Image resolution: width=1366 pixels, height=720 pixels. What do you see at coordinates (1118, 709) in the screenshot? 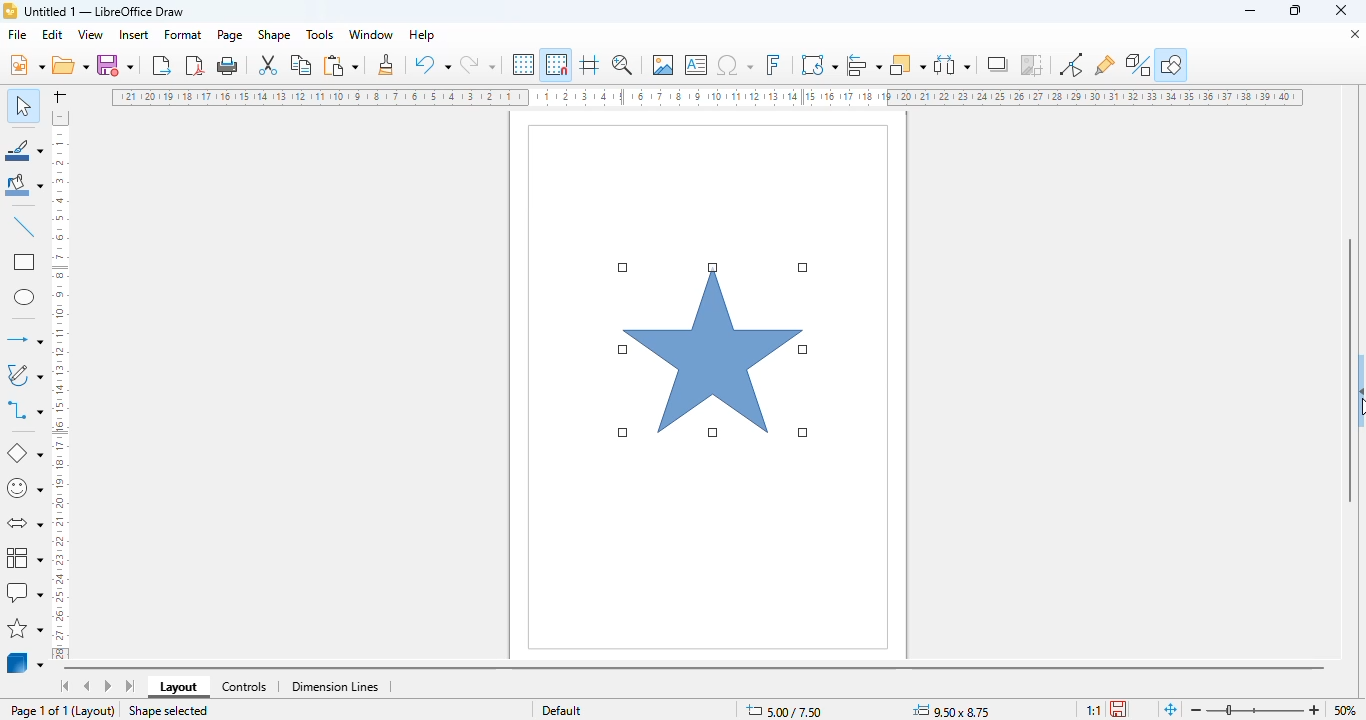
I see `click to save the document` at bounding box center [1118, 709].